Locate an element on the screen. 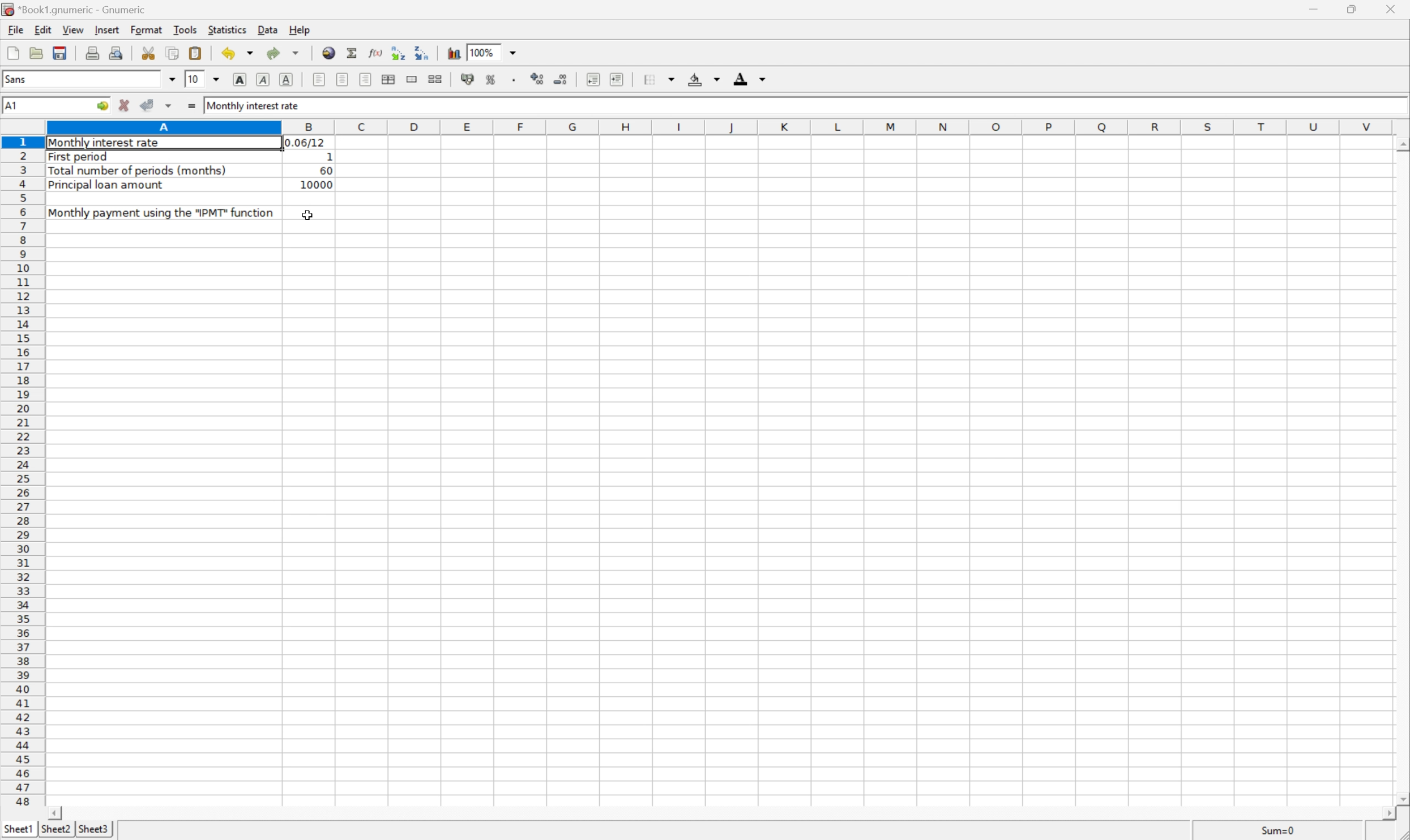  Print current file is located at coordinates (95, 52).